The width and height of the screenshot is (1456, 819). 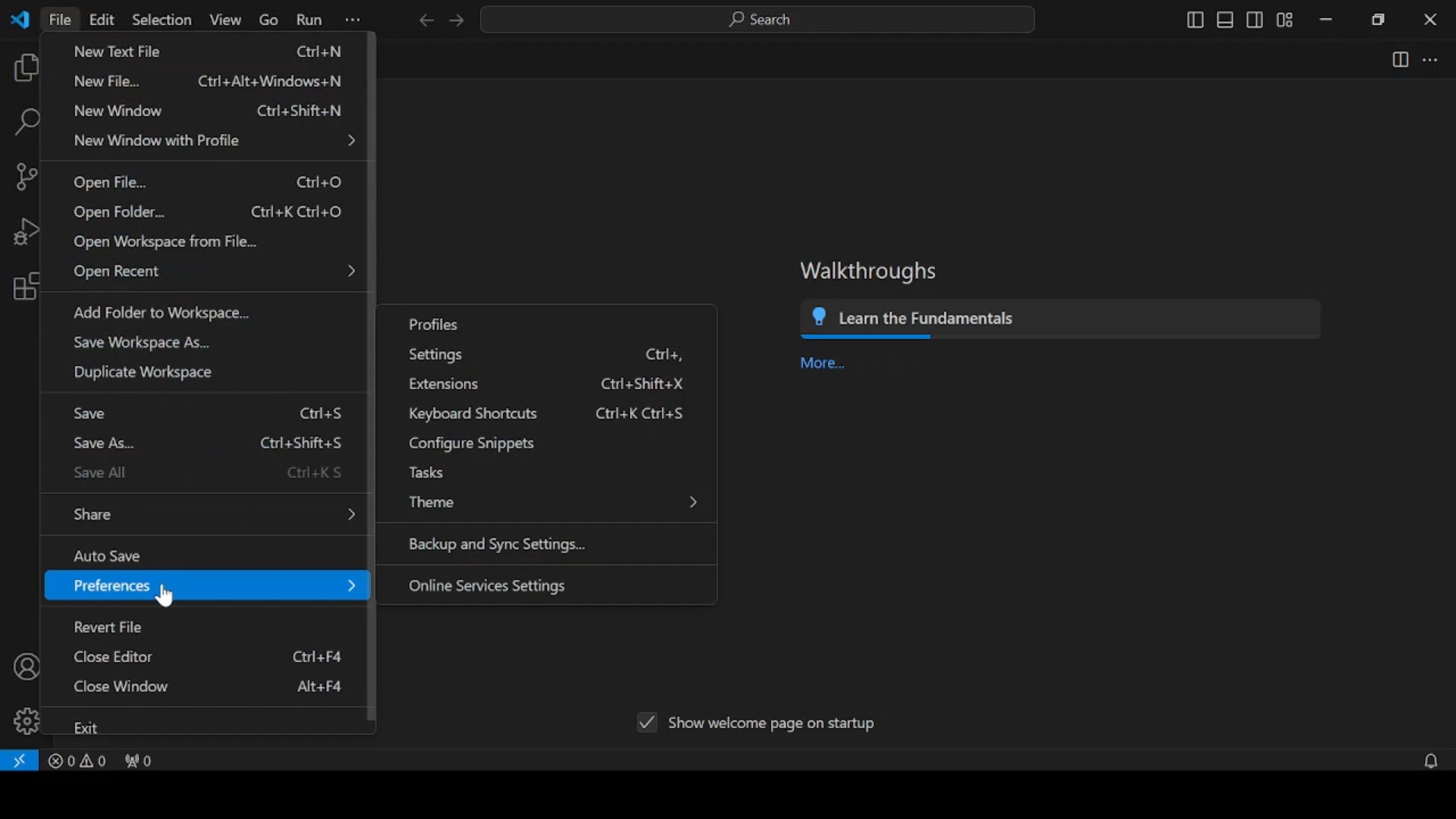 I want to click on save, so click(x=92, y=414).